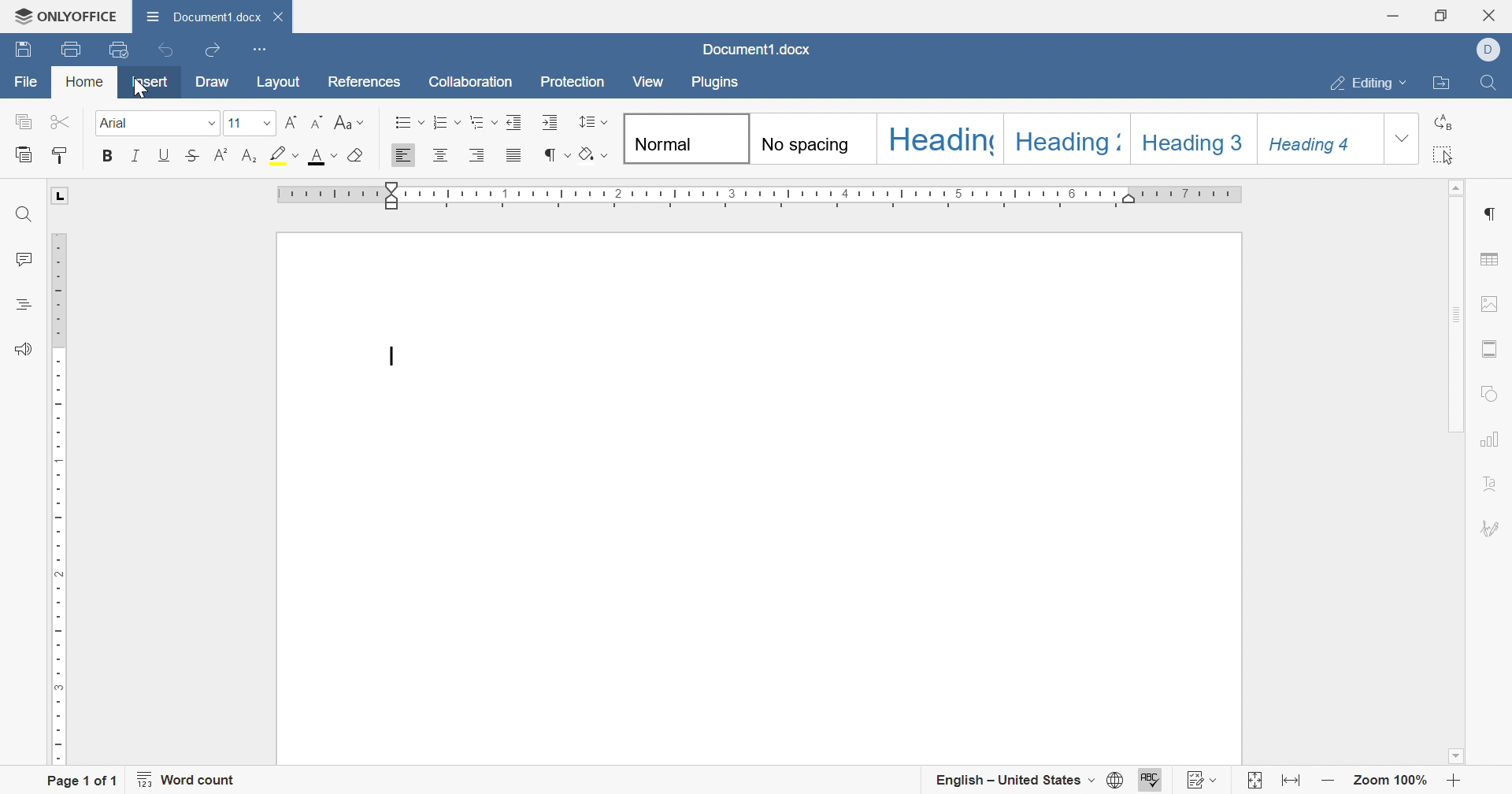 The width and height of the screenshot is (1512, 794). What do you see at coordinates (448, 121) in the screenshot?
I see `numbering` at bounding box center [448, 121].